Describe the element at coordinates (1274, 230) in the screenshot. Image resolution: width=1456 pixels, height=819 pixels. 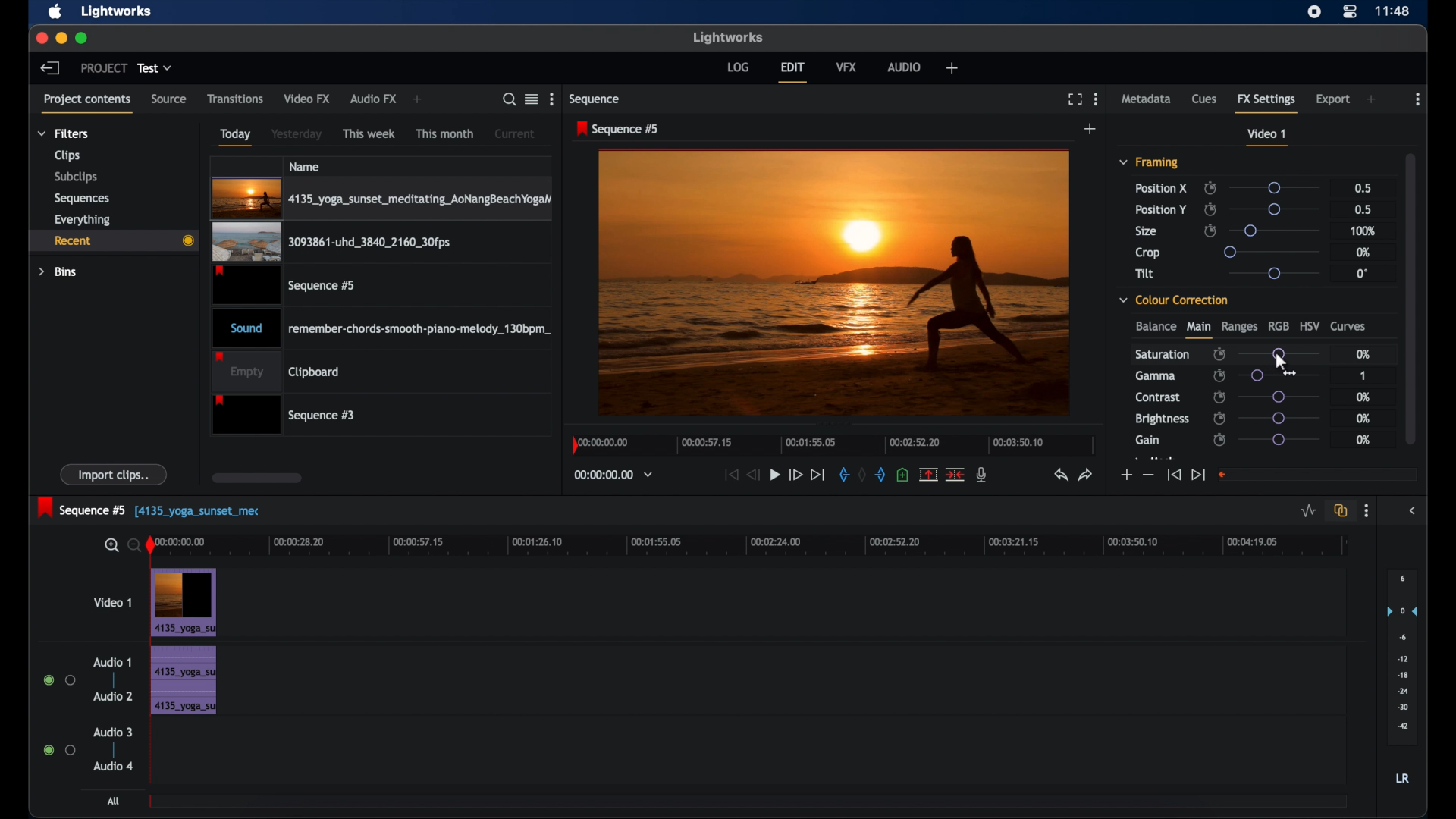
I see `slider` at that location.